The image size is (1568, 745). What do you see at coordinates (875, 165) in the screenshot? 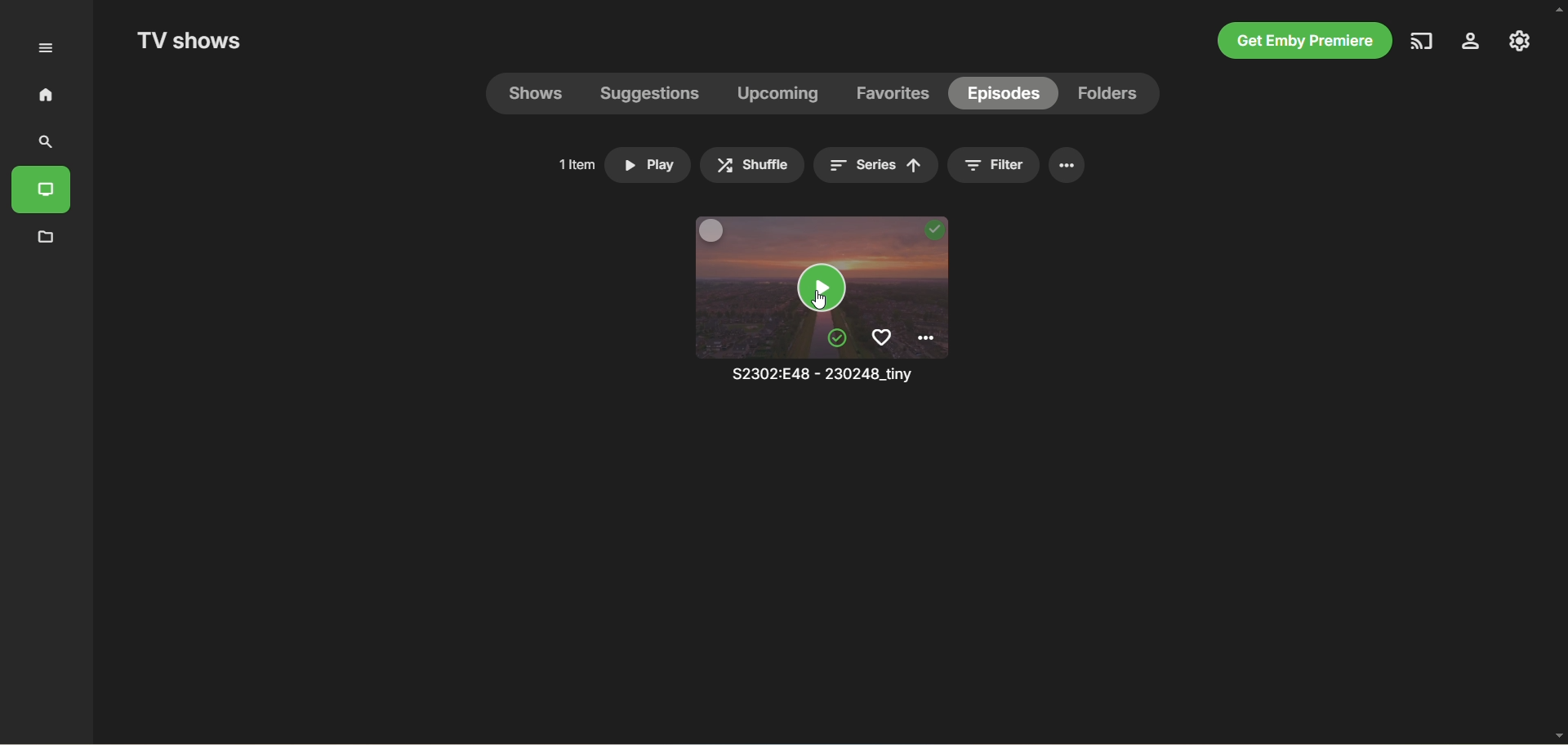
I see `Series` at bounding box center [875, 165].